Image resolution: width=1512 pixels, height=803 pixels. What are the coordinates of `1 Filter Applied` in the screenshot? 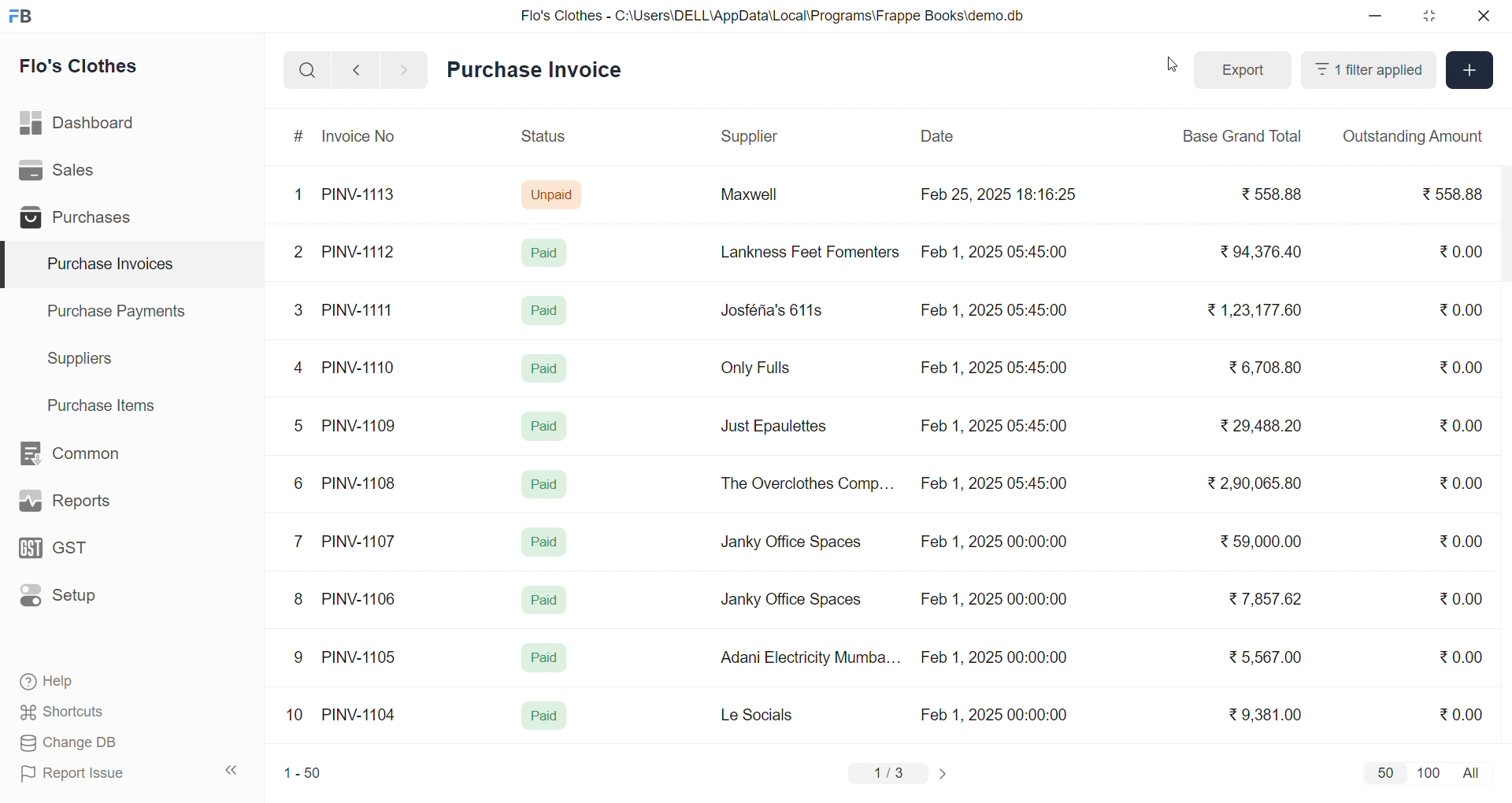 It's located at (1369, 70).